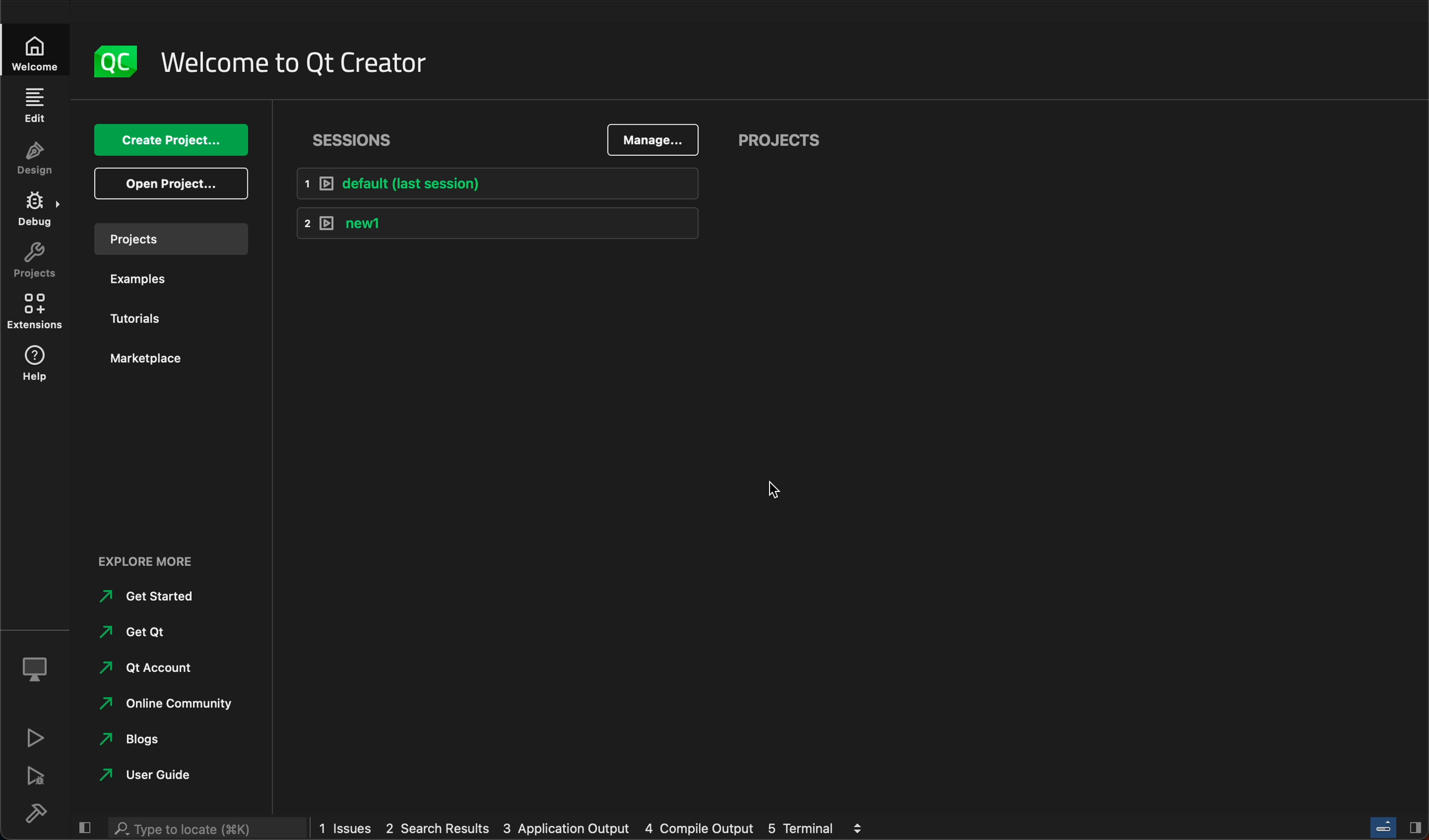 The image size is (1429, 840). Describe the element at coordinates (170, 559) in the screenshot. I see `Explore more` at that location.